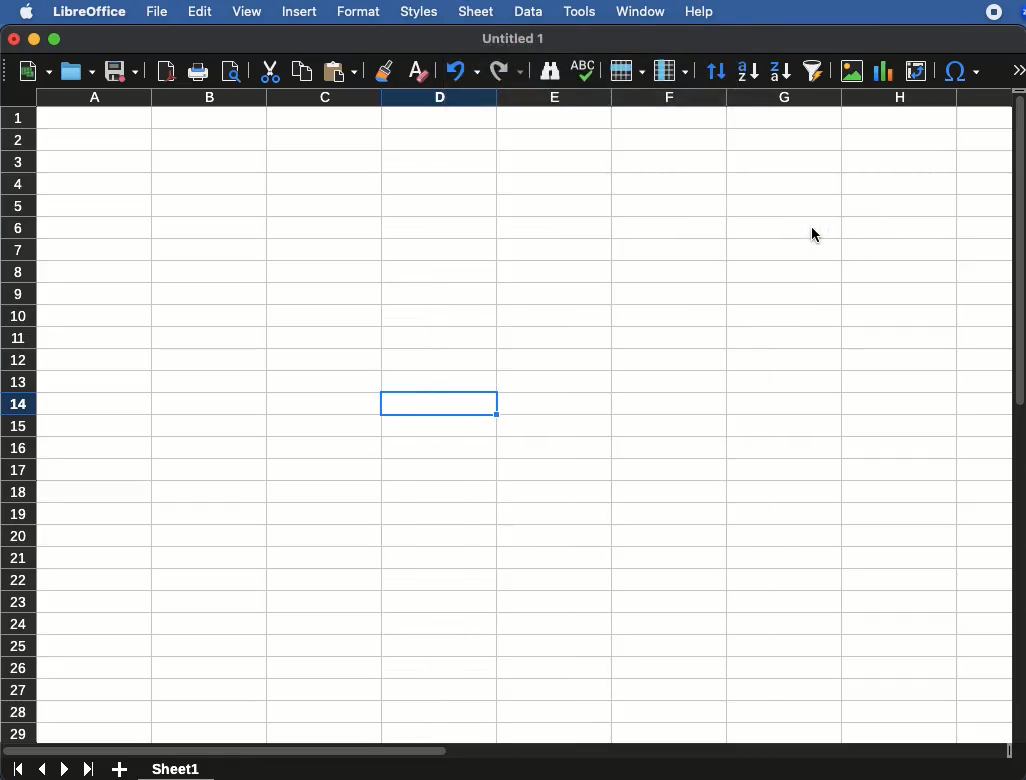  I want to click on pdf, so click(166, 71).